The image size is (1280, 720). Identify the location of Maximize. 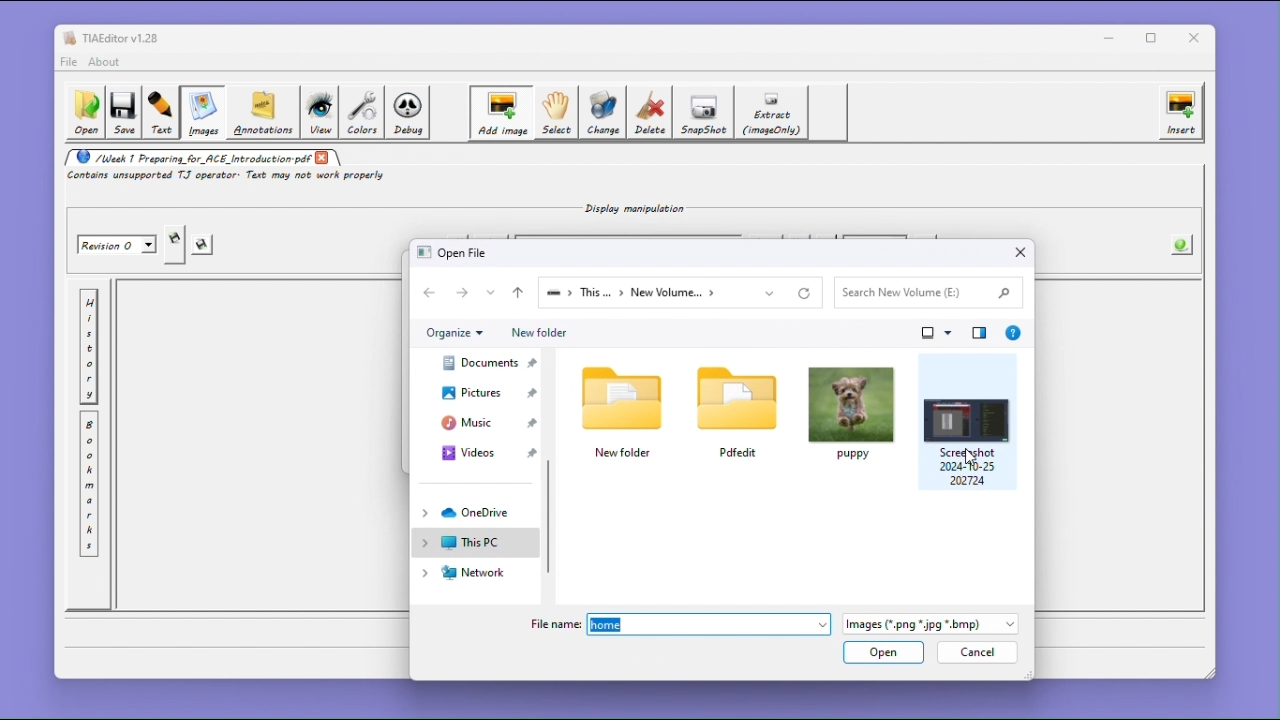
(1155, 38).